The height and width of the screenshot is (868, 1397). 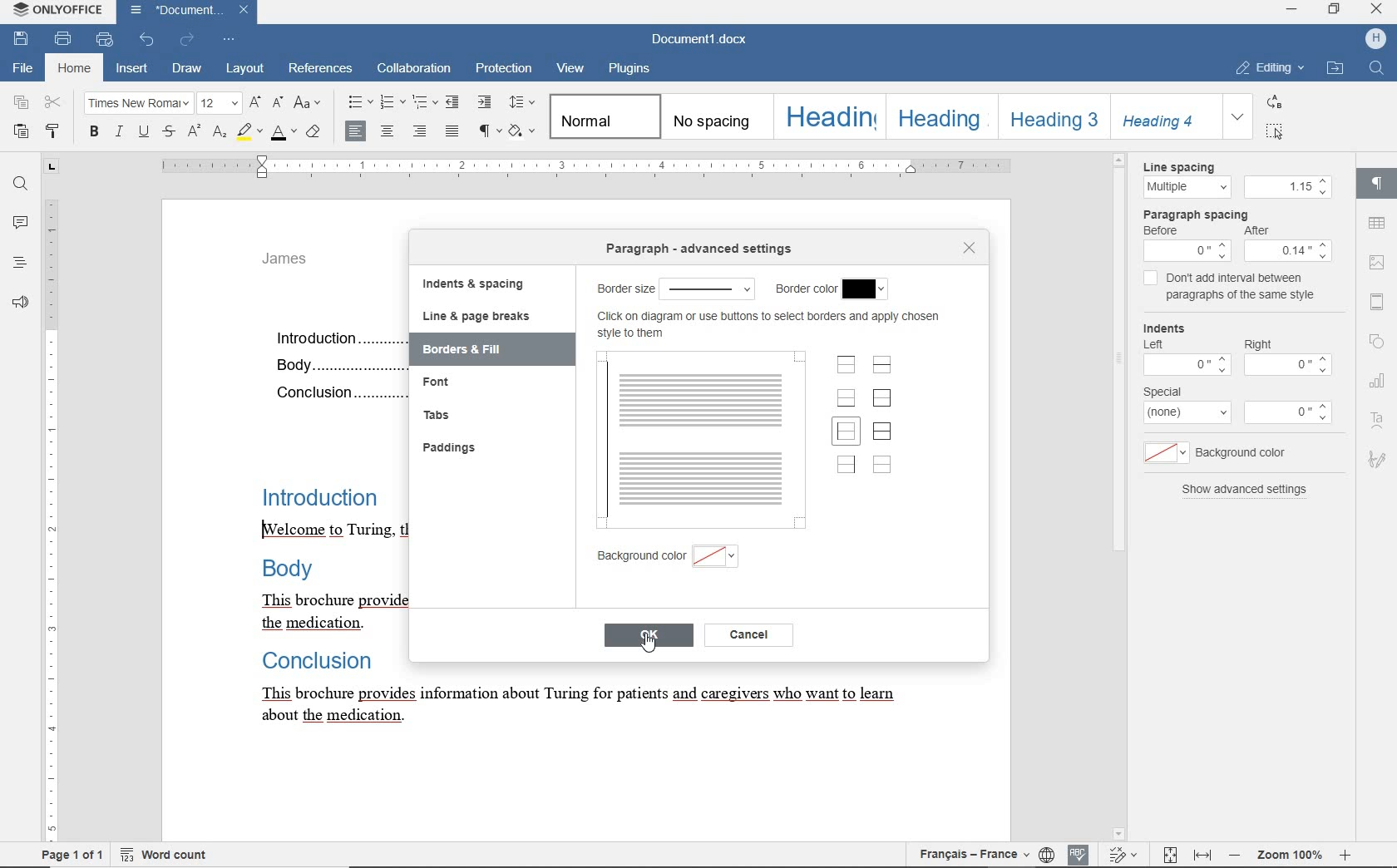 I want to click on expand, so click(x=1237, y=118).